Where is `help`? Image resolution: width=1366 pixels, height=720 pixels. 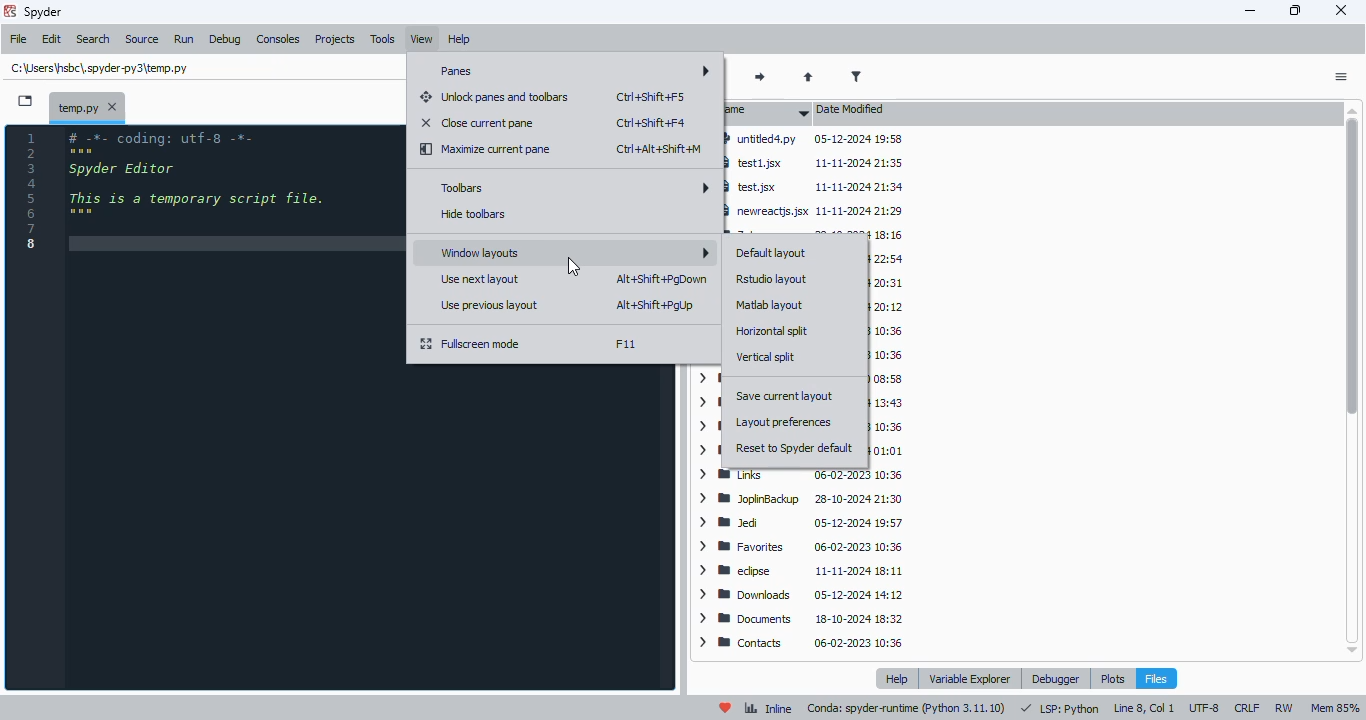
help is located at coordinates (461, 39).